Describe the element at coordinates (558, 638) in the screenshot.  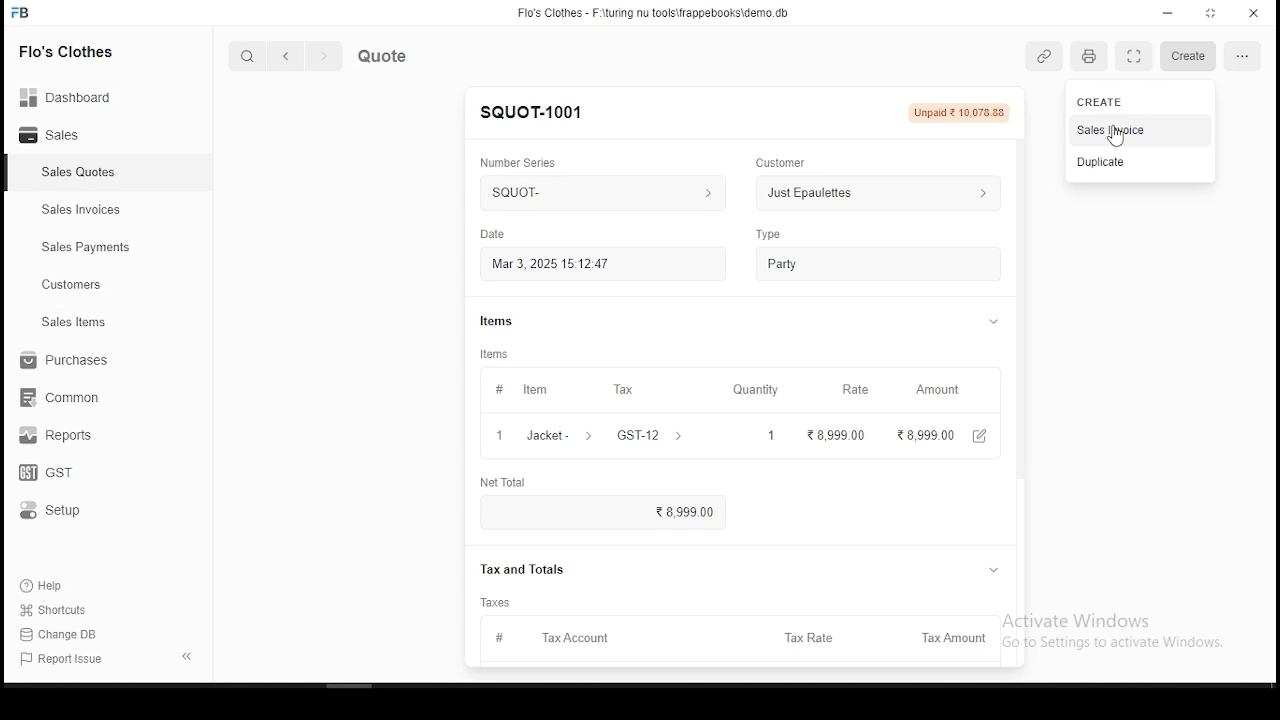
I see `tax account` at that location.